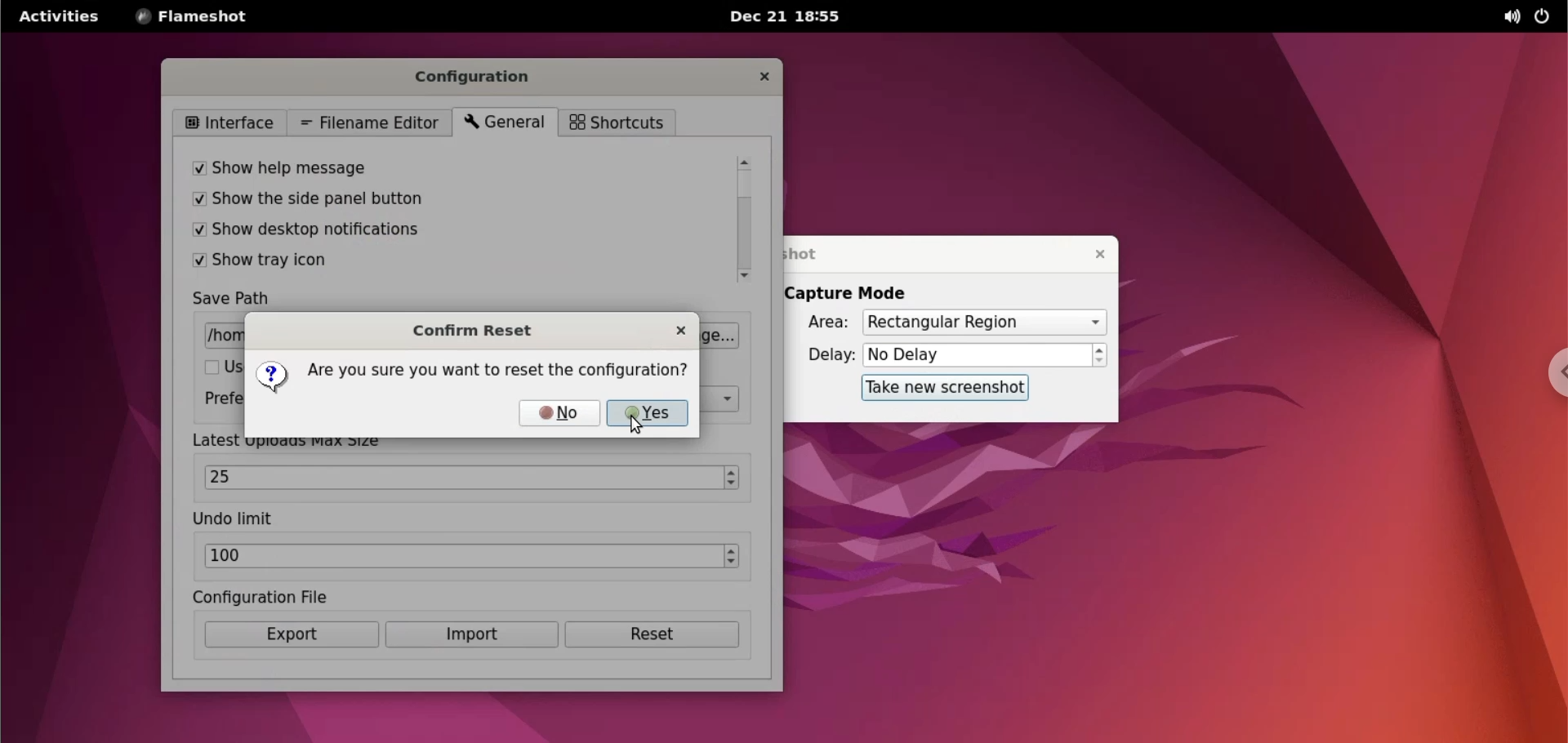 This screenshot has width=1568, height=743. I want to click on import, so click(470, 636).